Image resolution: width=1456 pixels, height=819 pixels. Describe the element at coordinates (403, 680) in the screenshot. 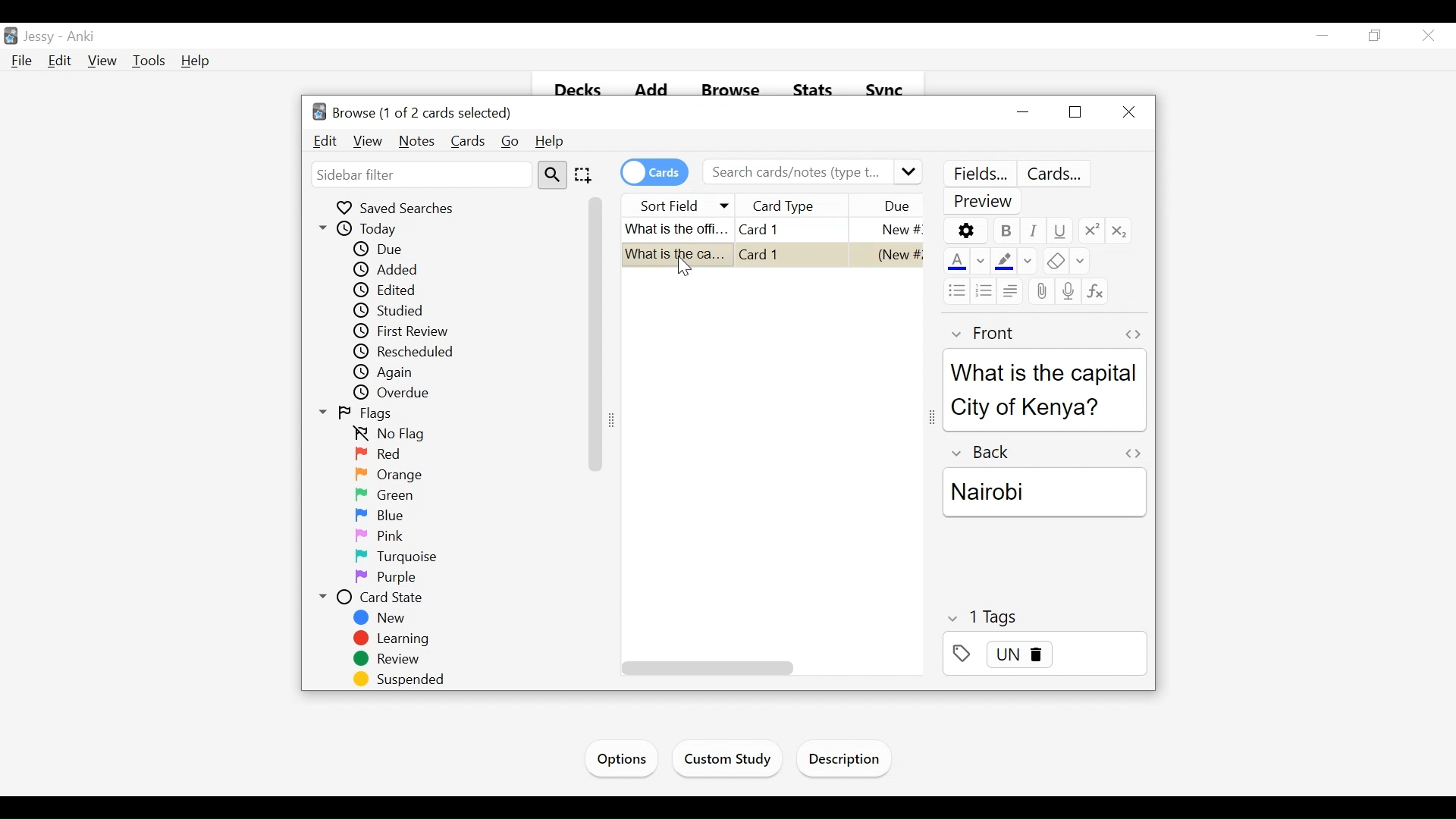

I see `Suspended` at that location.